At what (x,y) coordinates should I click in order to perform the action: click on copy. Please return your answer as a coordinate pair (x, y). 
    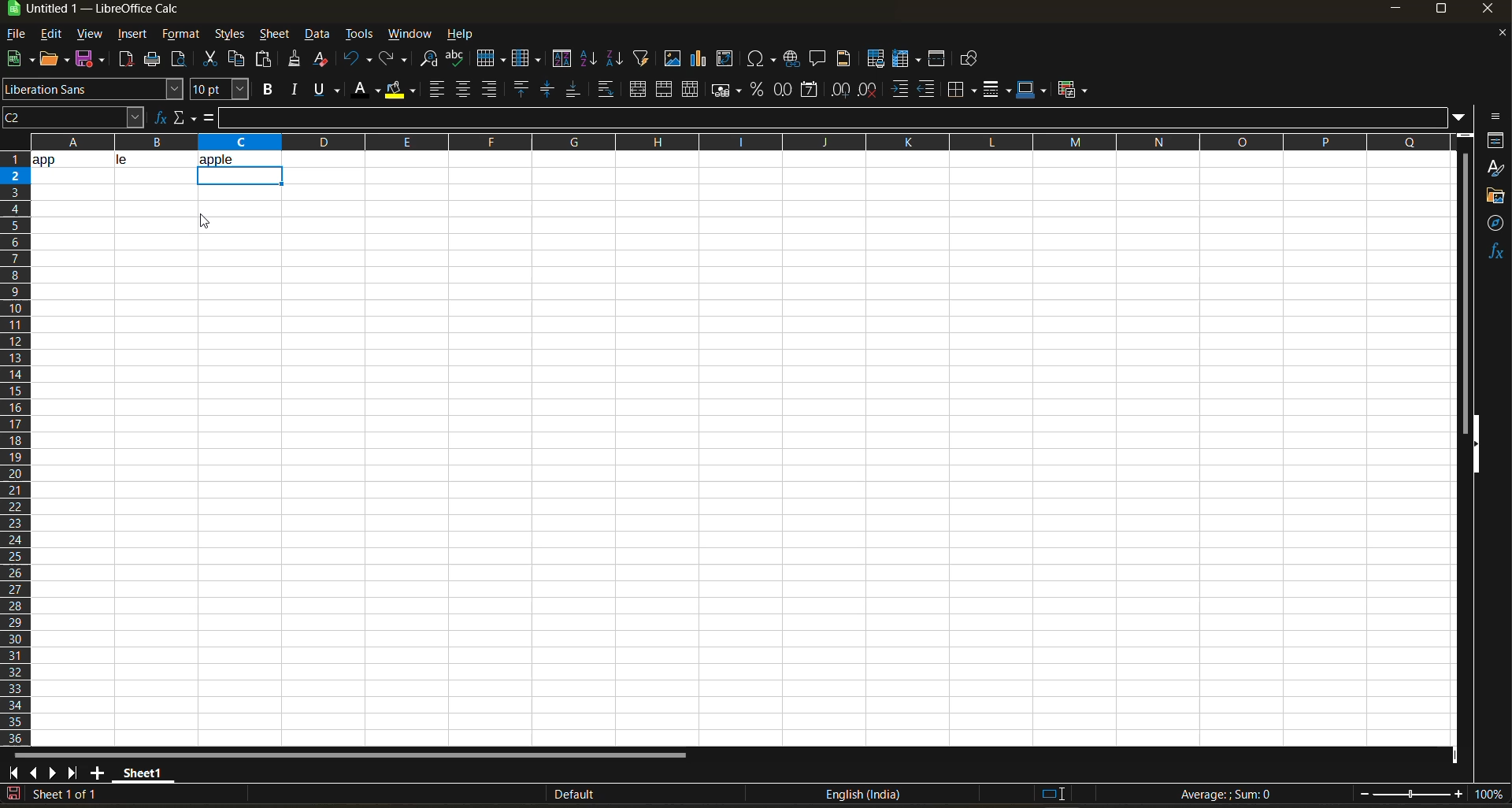
    Looking at the image, I should click on (239, 59).